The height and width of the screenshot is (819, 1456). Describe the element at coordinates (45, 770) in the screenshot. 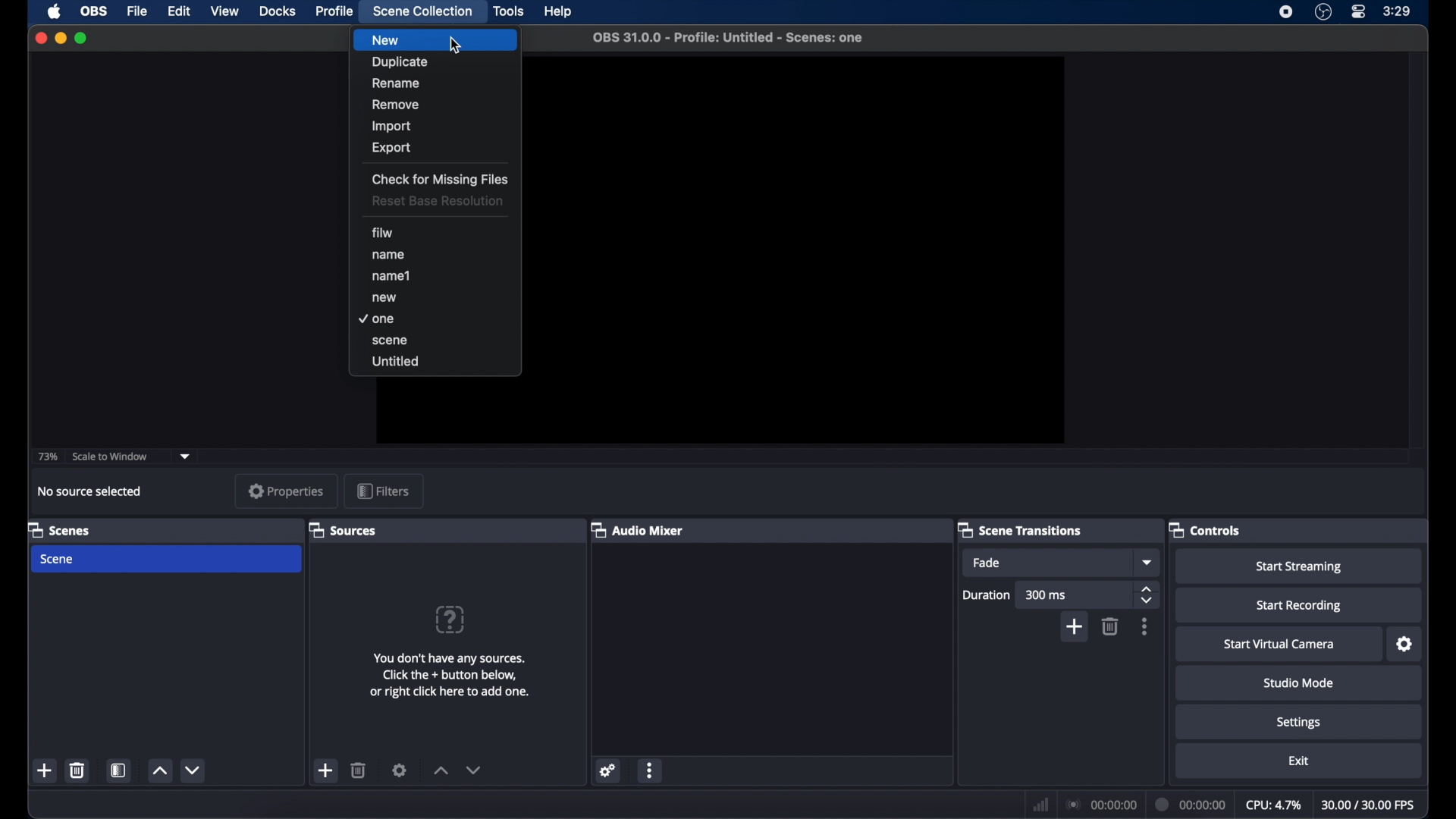

I see `add` at that location.